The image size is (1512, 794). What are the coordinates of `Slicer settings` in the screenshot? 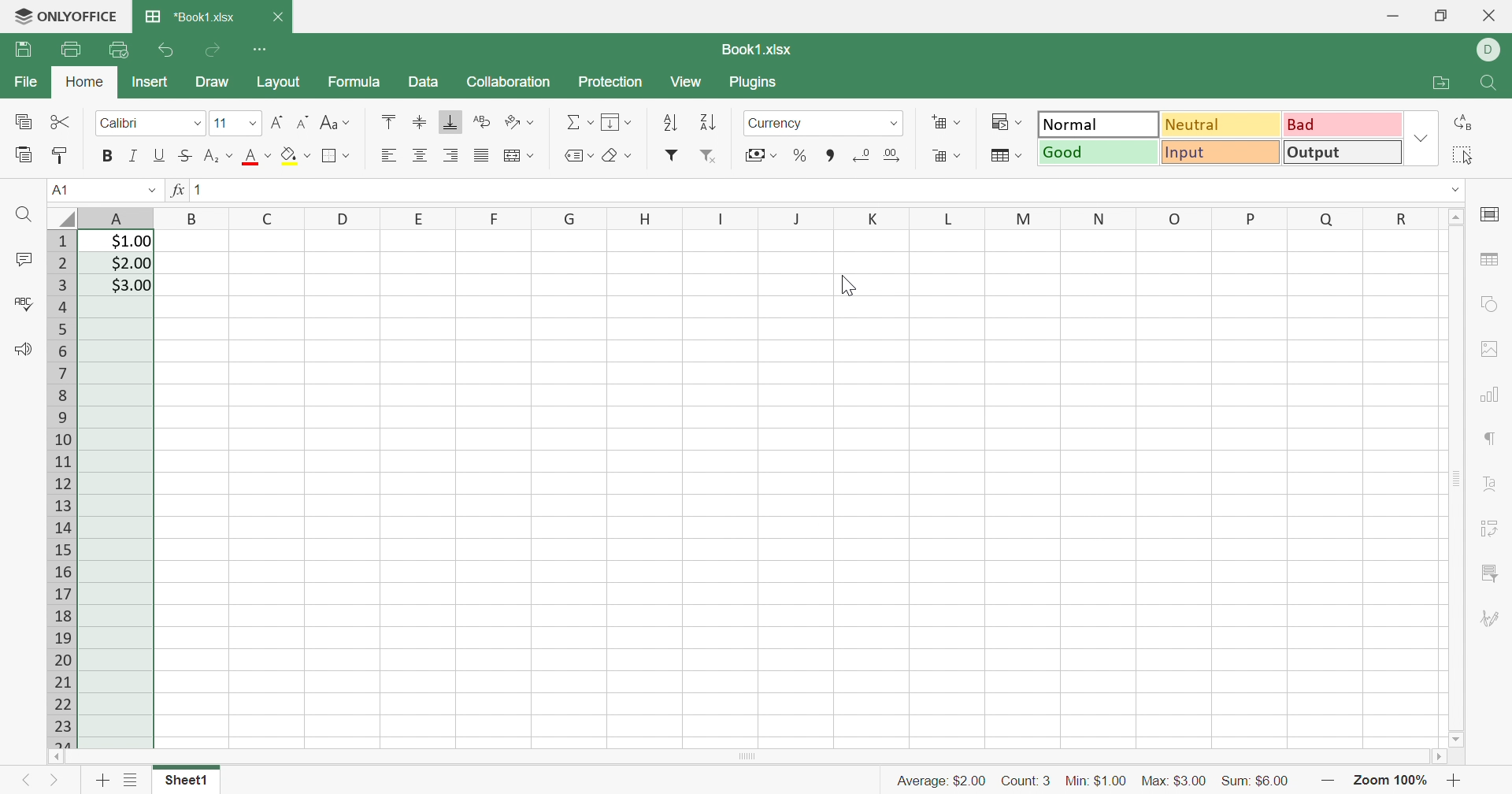 It's located at (1488, 573).